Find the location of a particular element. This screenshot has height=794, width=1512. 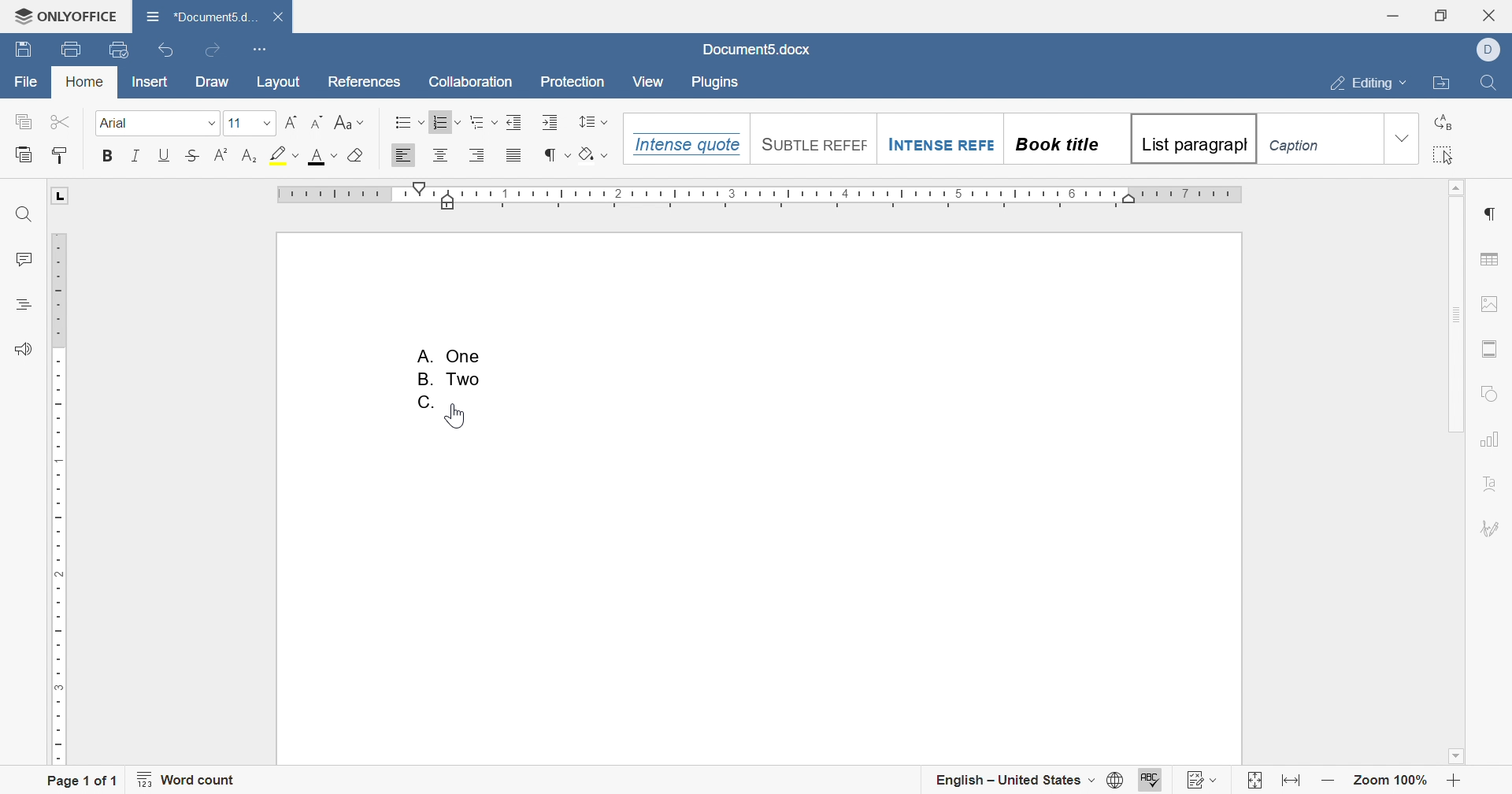

Plugins is located at coordinates (713, 83).